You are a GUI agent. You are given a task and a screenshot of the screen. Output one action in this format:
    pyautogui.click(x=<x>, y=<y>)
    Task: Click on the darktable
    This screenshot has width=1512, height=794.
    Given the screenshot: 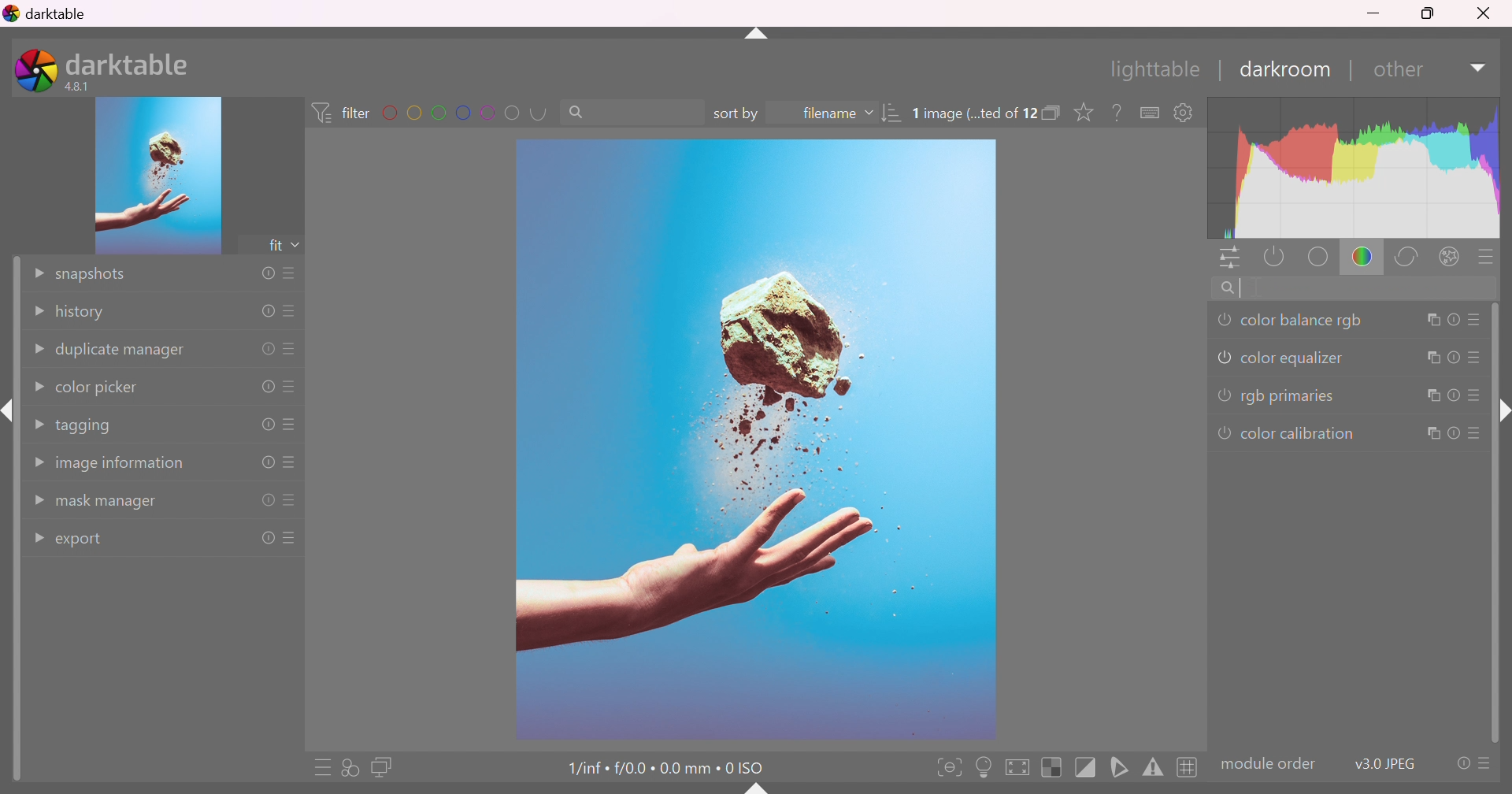 What is the action you would take?
    pyautogui.click(x=35, y=69)
    